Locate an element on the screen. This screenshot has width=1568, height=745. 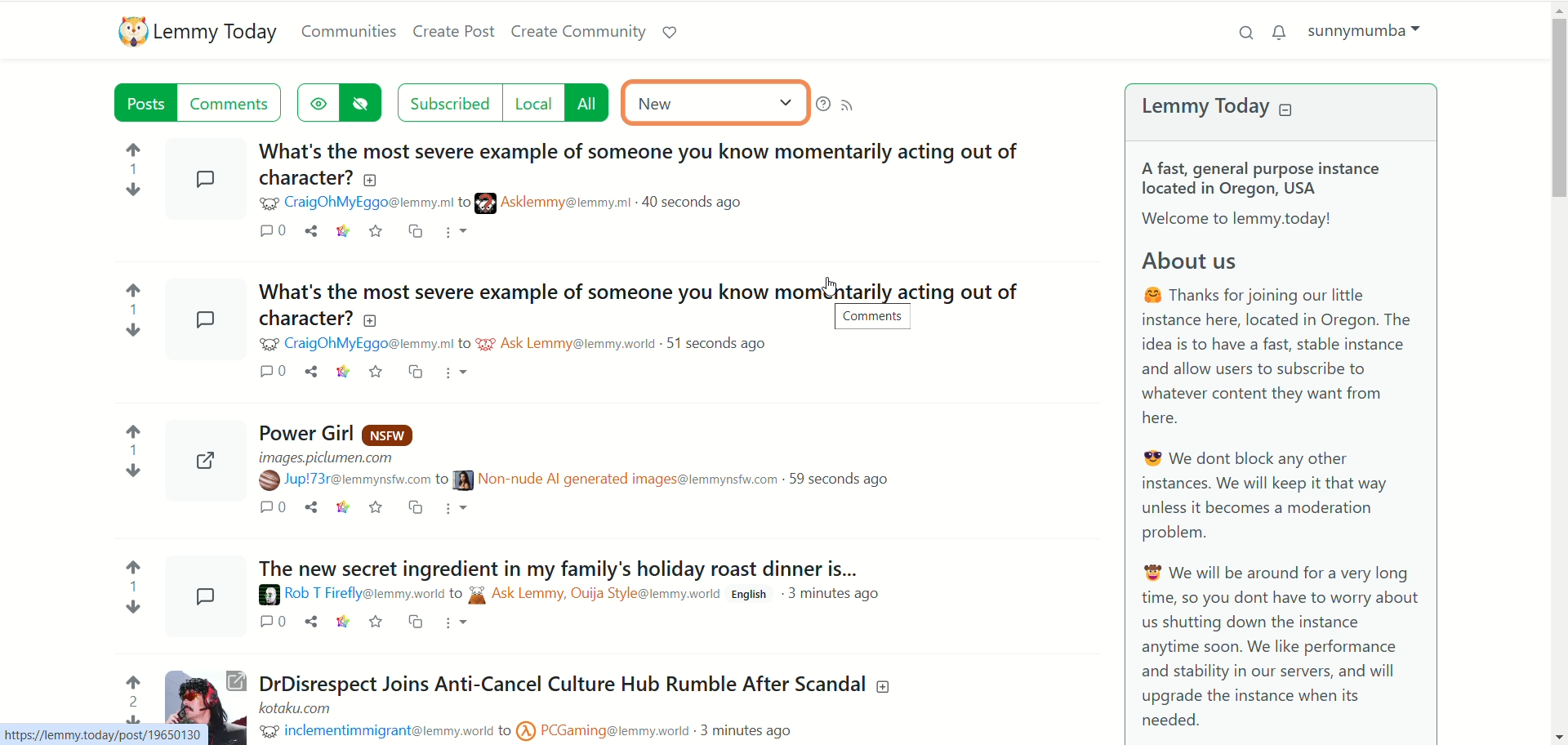
all is located at coordinates (590, 103).